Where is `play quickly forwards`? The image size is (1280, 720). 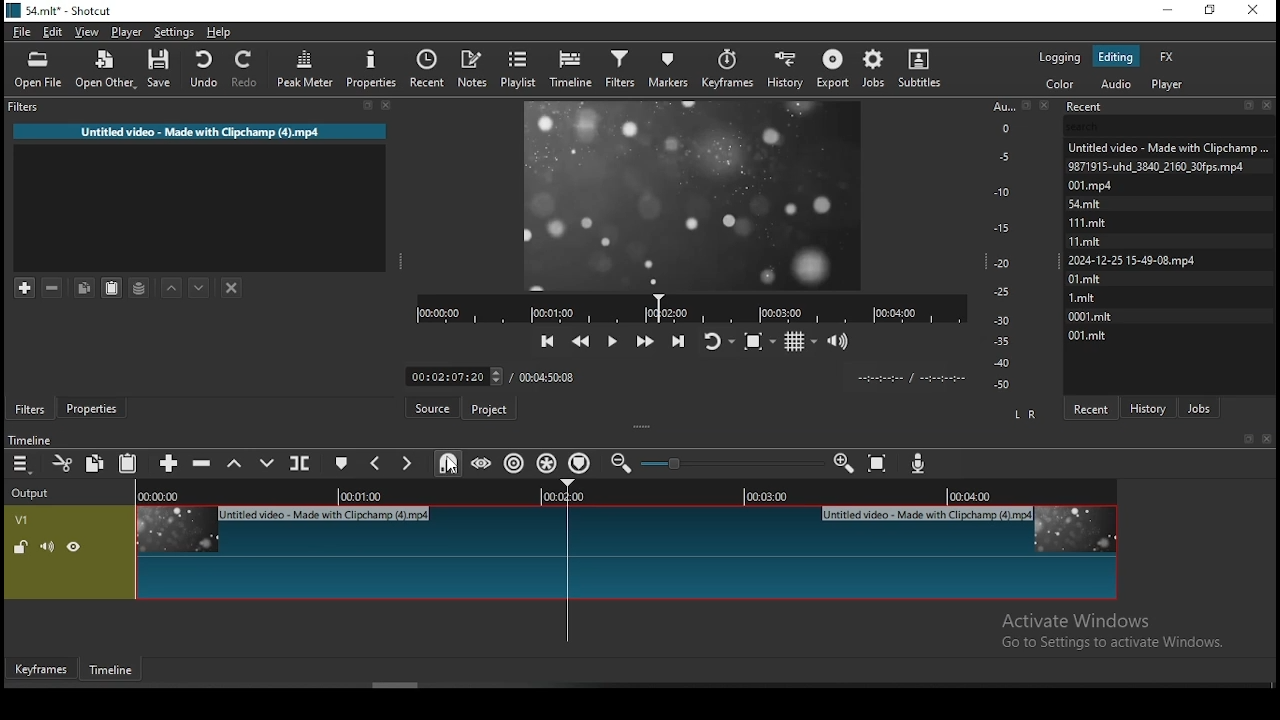
play quickly forwards is located at coordinates (642, 339).